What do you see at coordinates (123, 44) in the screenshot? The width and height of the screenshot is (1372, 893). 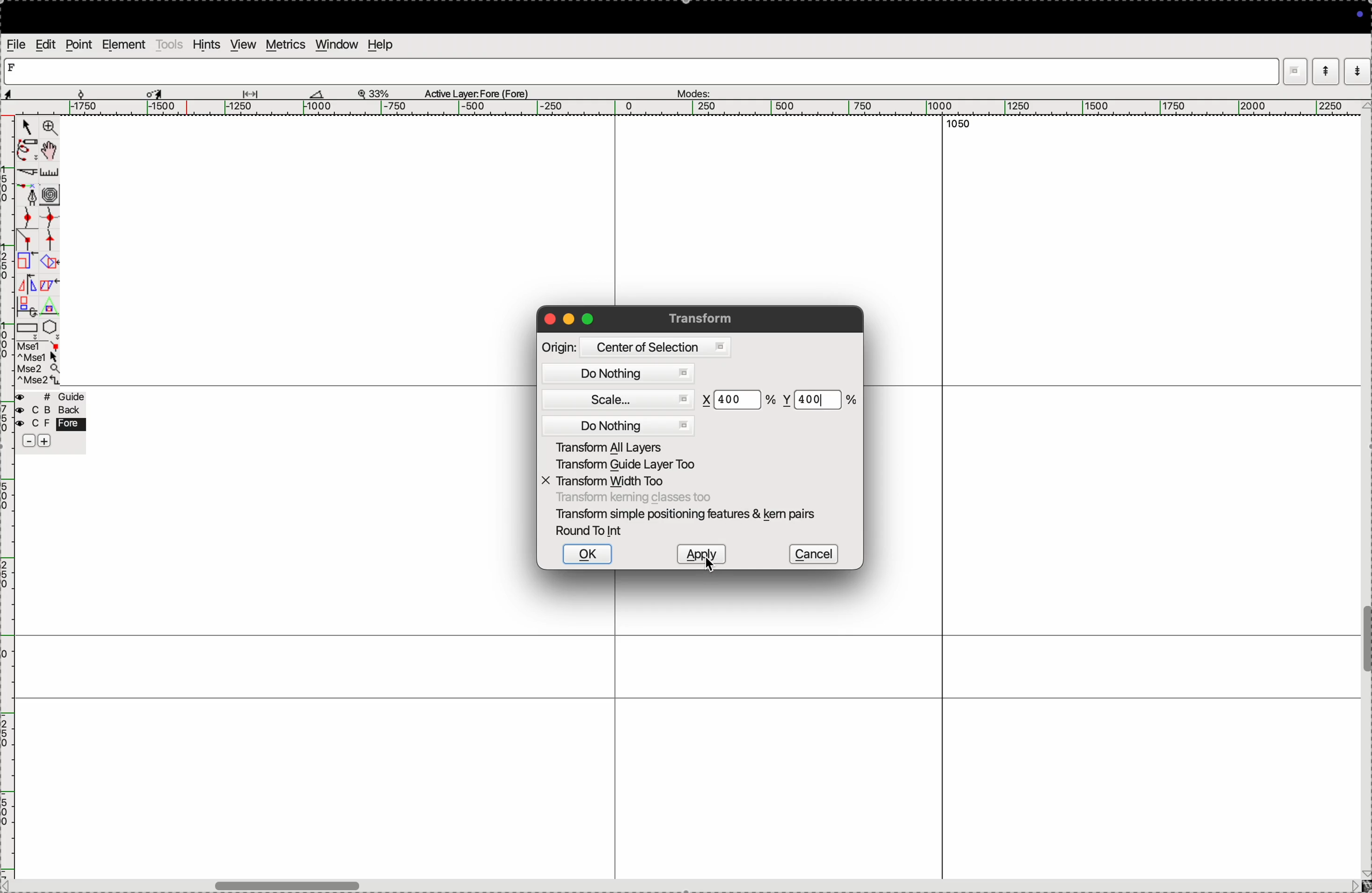 I see `element` at bounding box center [123, 44].